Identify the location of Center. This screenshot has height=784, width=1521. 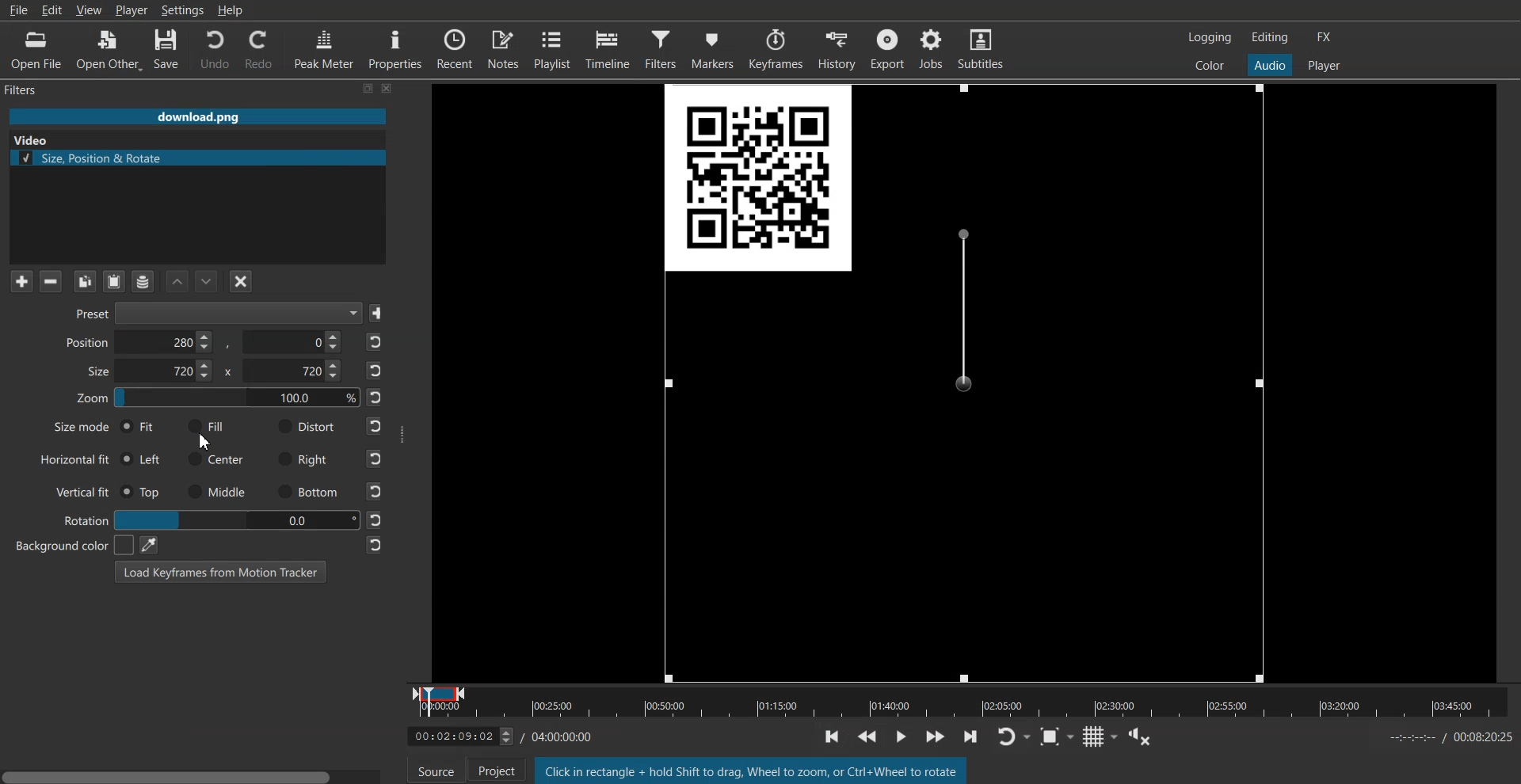
(218, 459).